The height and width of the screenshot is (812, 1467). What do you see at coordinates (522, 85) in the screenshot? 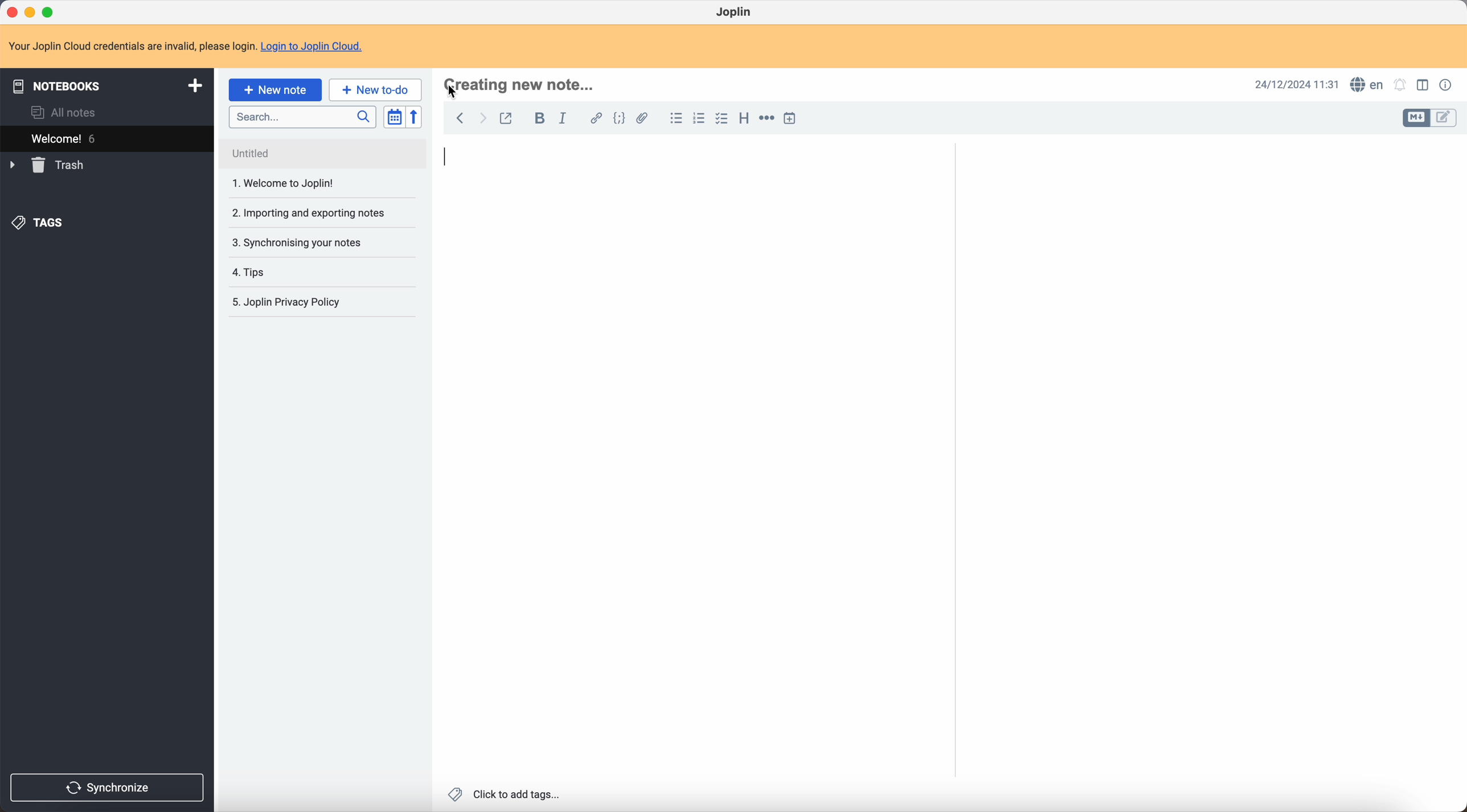
I see `click on title` at bounding box center [522, 85].